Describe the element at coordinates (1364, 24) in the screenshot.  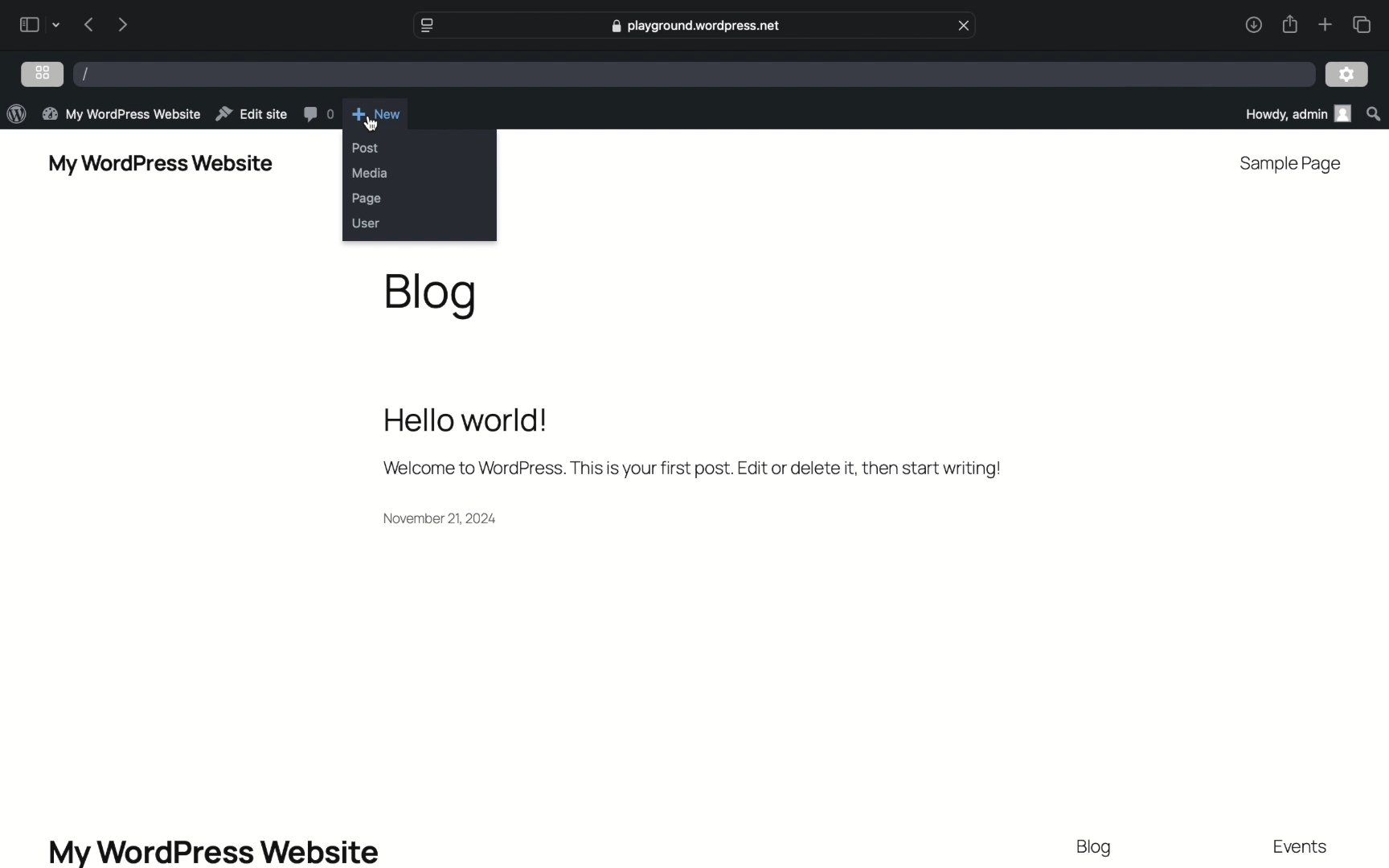
I see `show tab overview` at that location.